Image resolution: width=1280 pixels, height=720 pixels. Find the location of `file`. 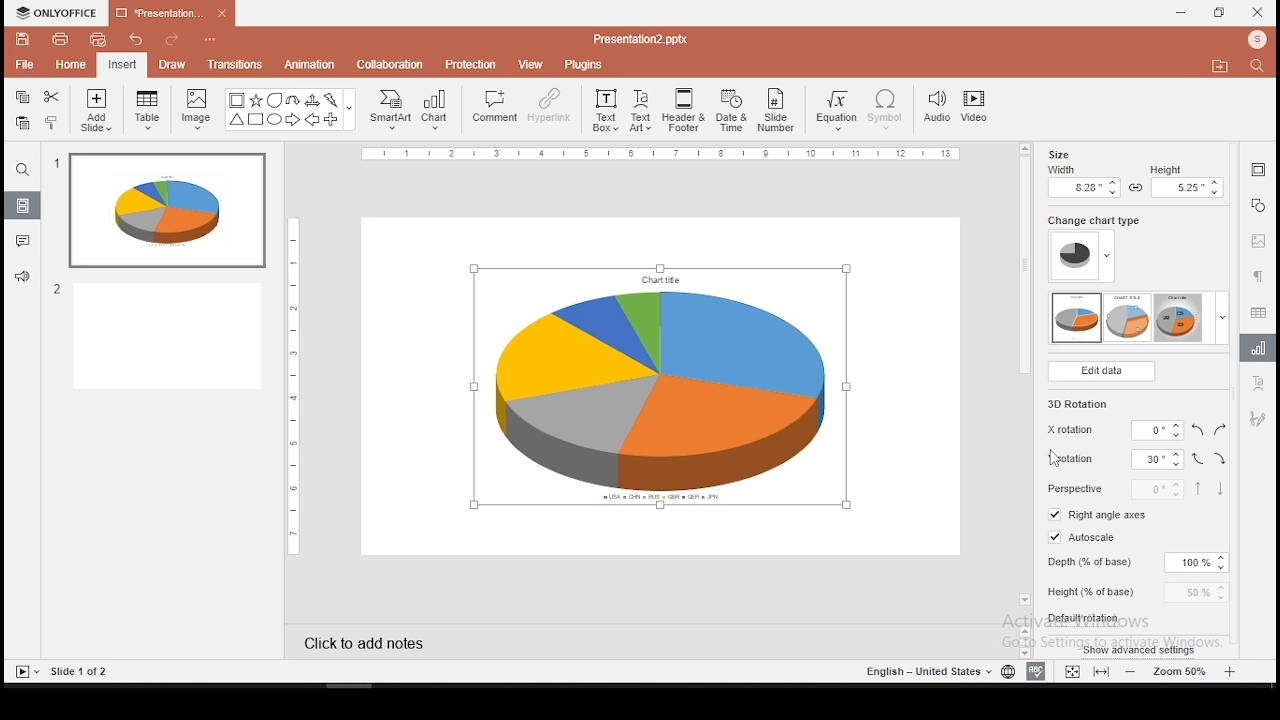

file is located at coordinates (23, 63).